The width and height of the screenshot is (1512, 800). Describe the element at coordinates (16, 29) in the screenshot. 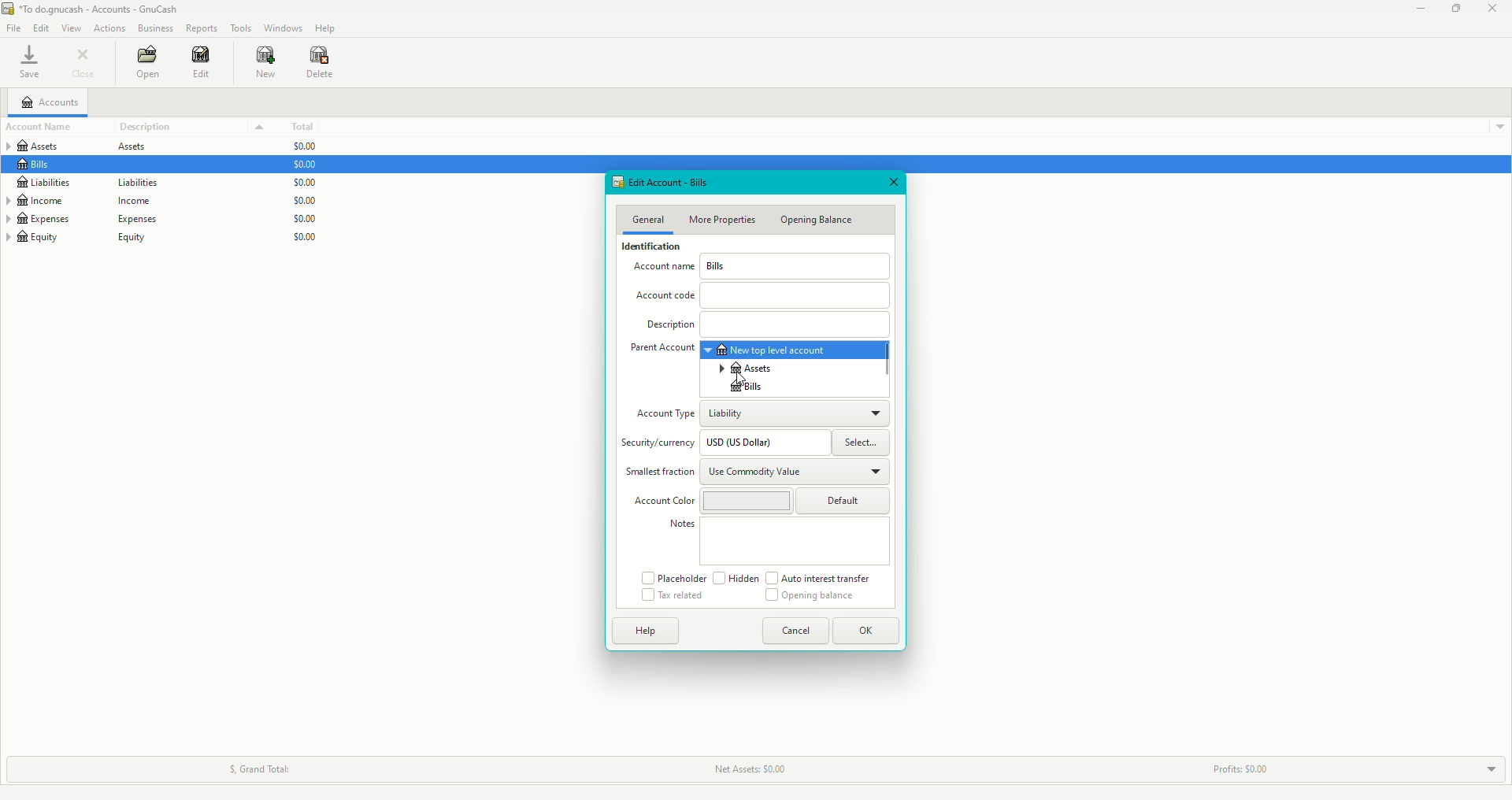

I see `File` at that location.